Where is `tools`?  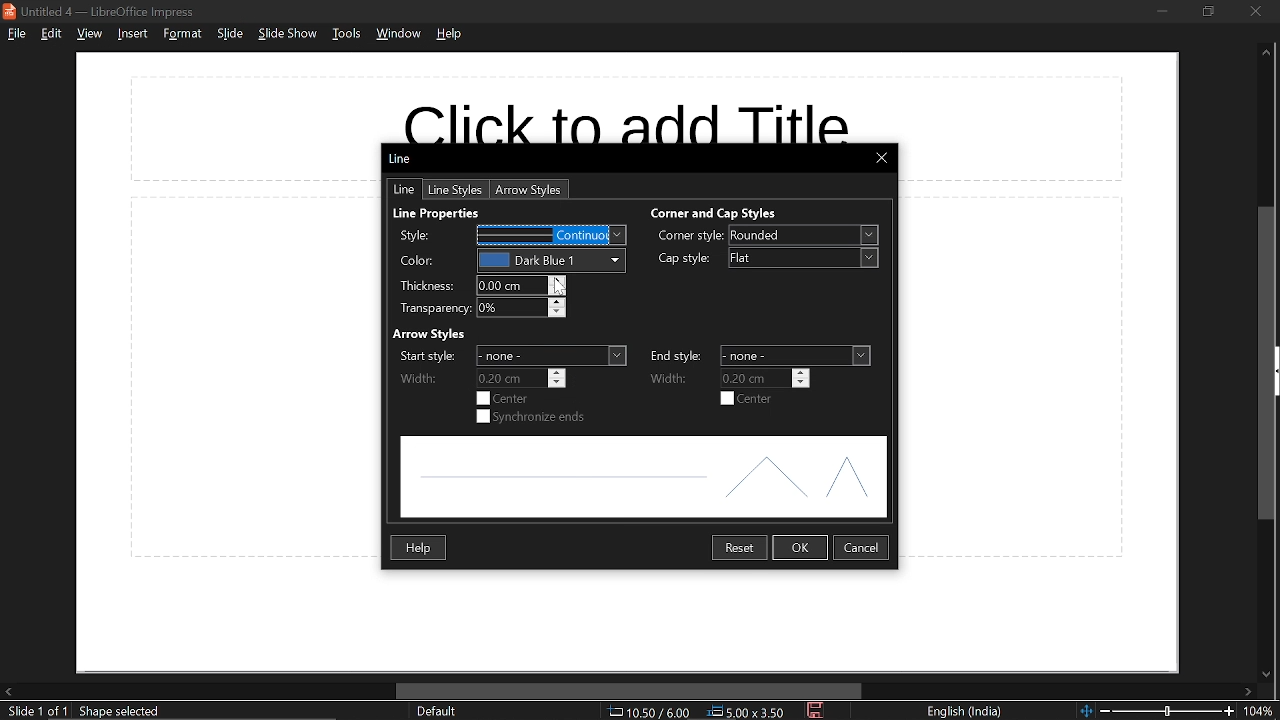 tools is located at coordinates (348, 35).